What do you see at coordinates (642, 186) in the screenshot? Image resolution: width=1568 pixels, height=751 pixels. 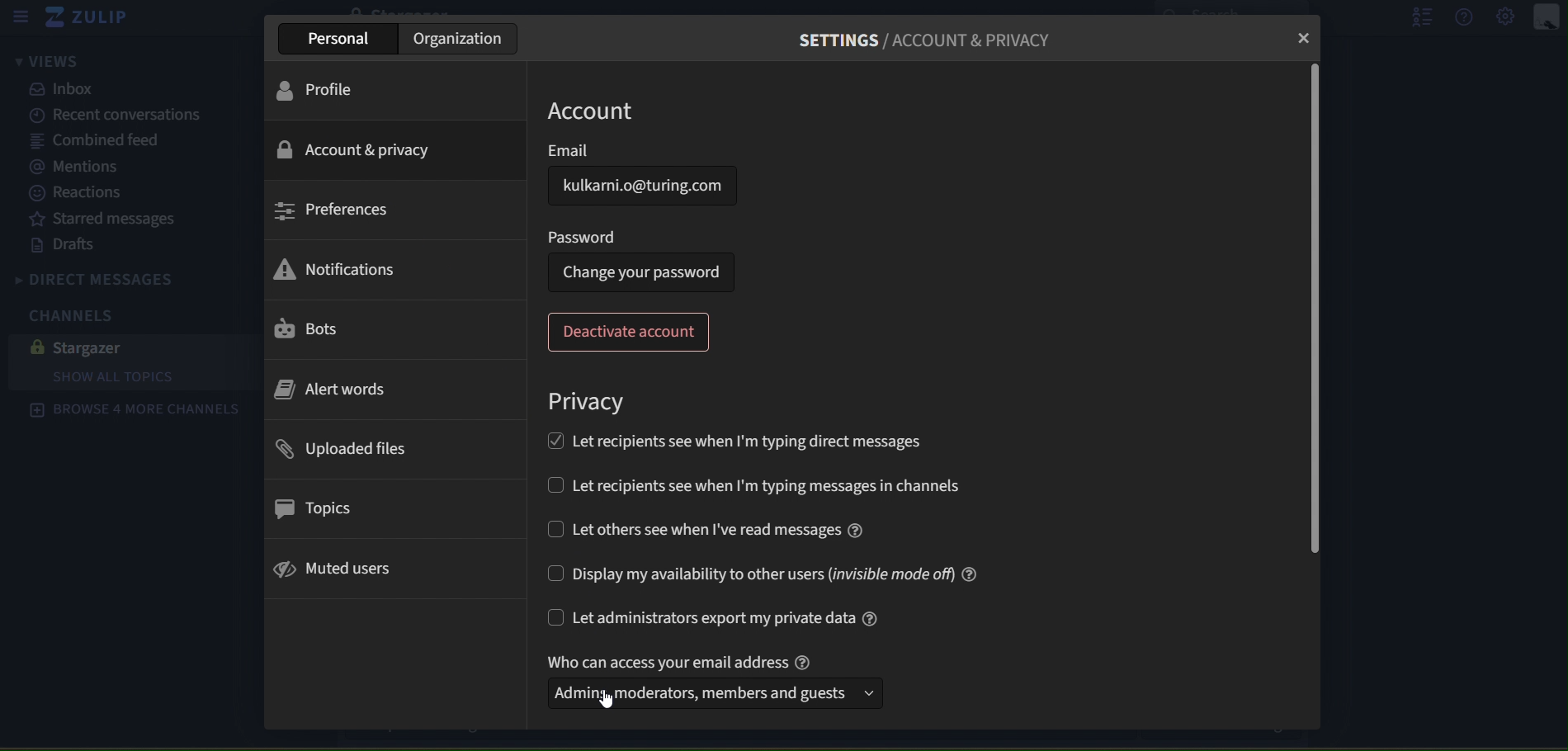 I see `kulkarni.o@turing.com` at bounding box center [642, 186].